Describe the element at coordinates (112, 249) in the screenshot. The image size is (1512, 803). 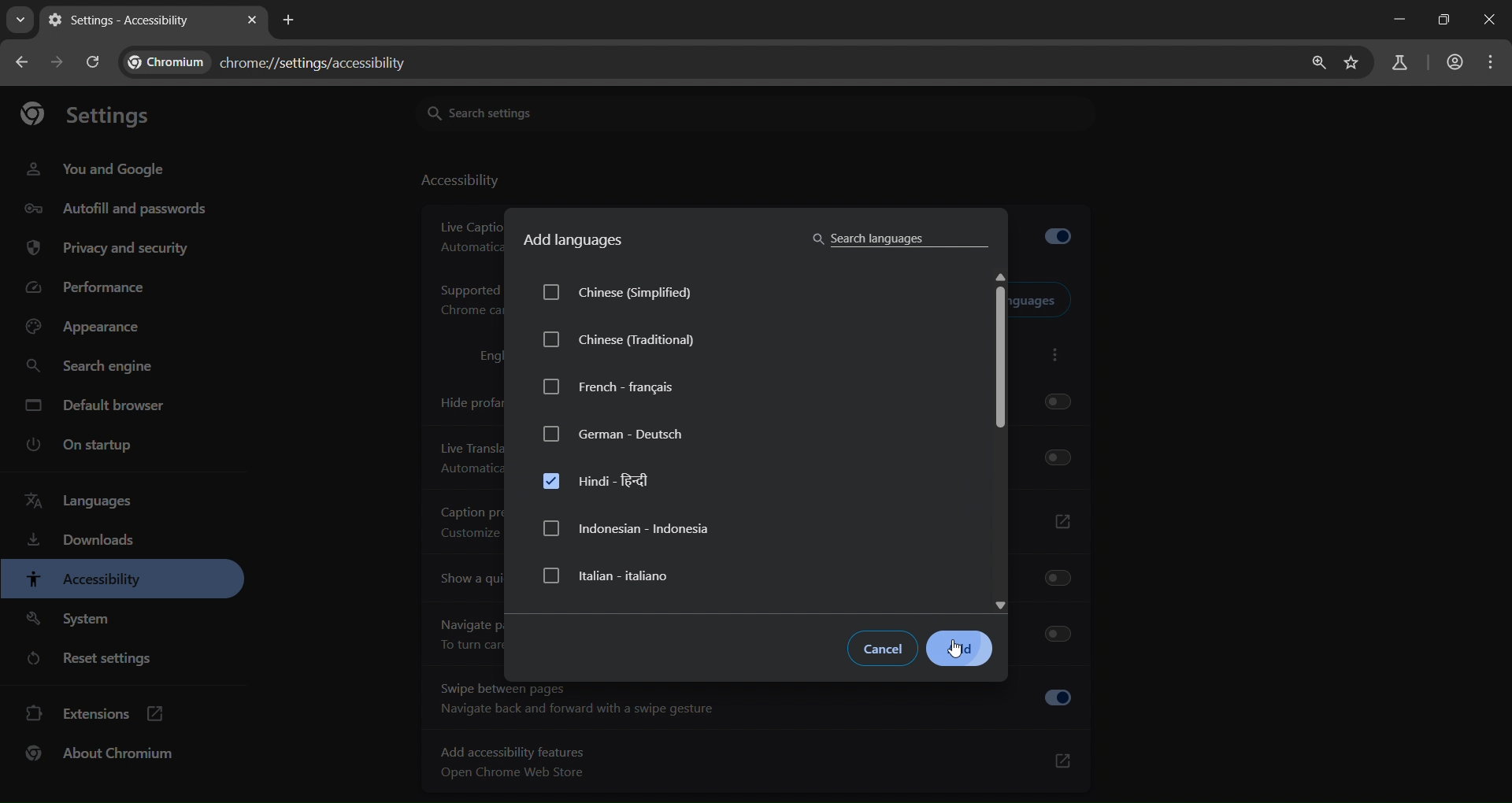
I see `privacy and security` at that location.